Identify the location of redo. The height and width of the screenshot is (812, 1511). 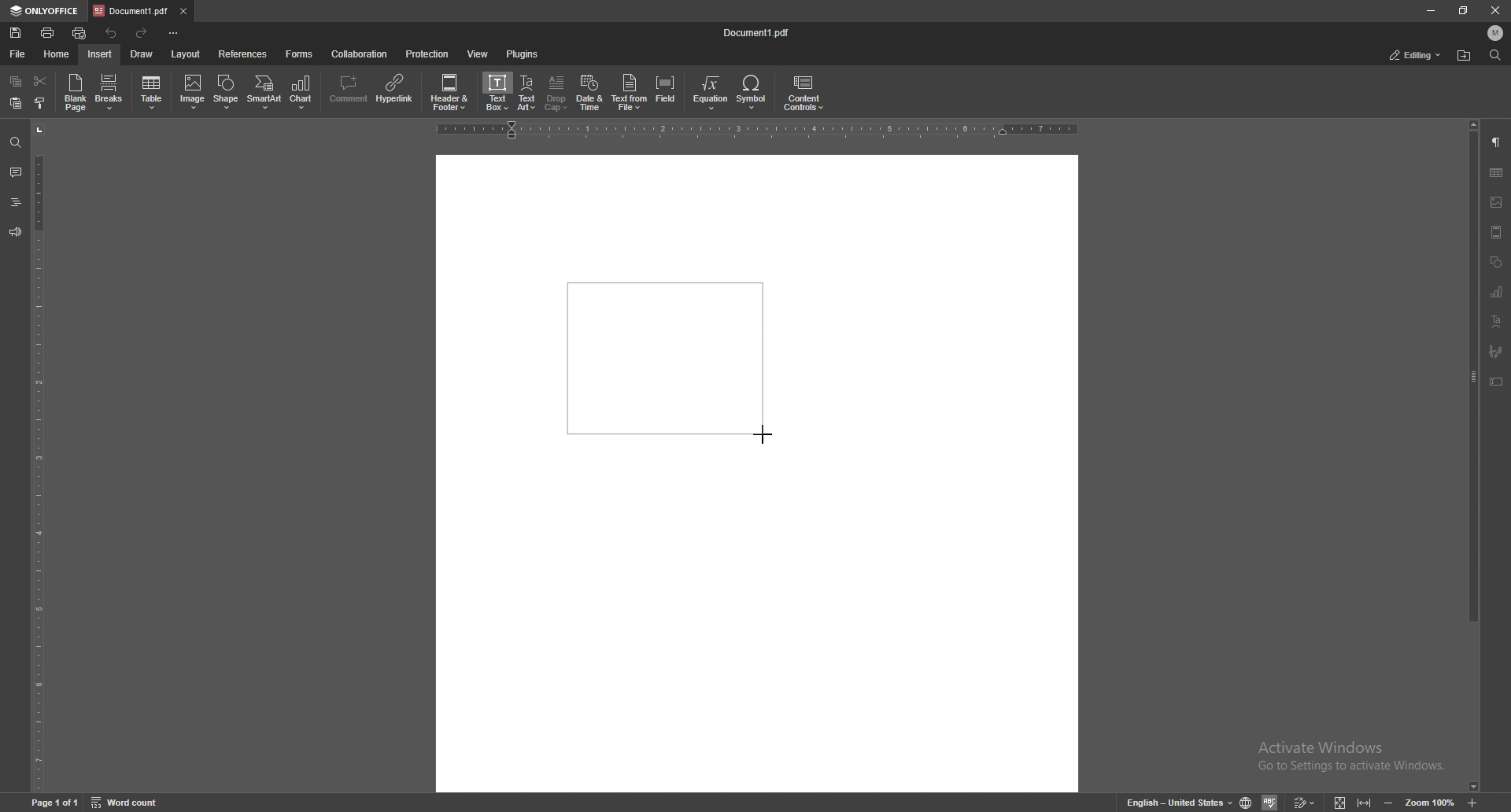
(144, 34).